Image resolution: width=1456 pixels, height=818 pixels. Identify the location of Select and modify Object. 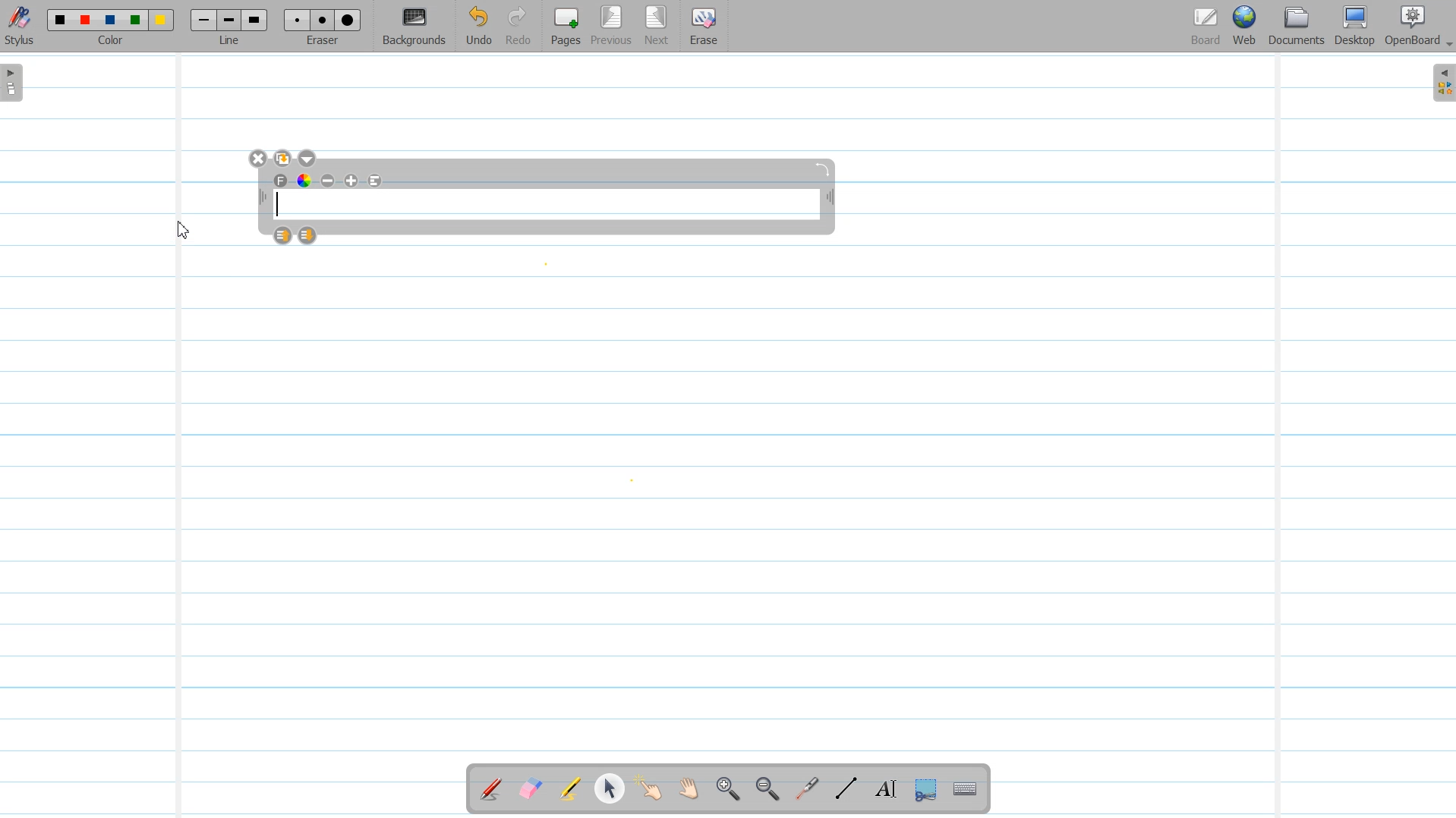
(610, 788).